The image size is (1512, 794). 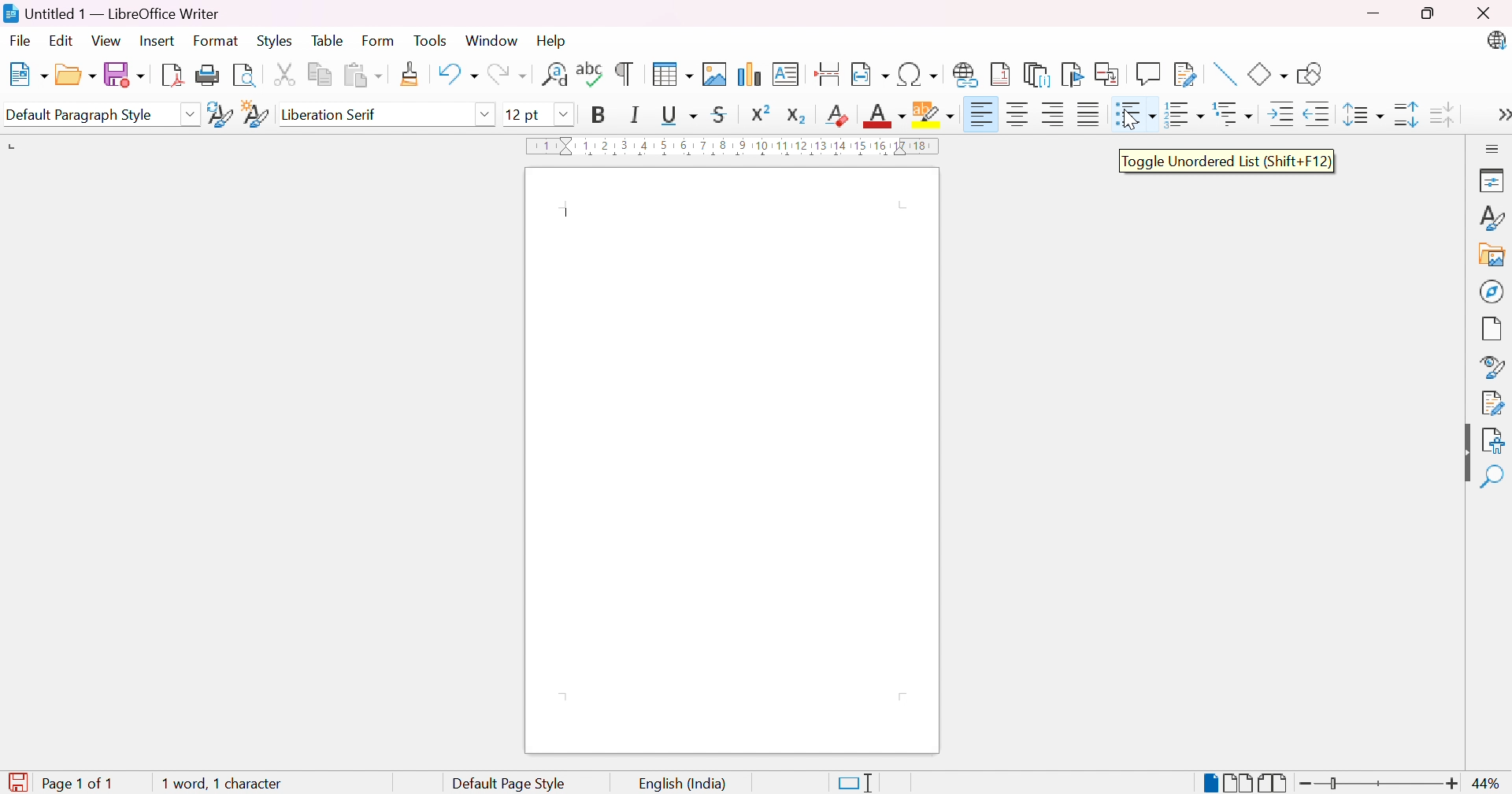 I want to click on Close, so click(x=1488, y=13).